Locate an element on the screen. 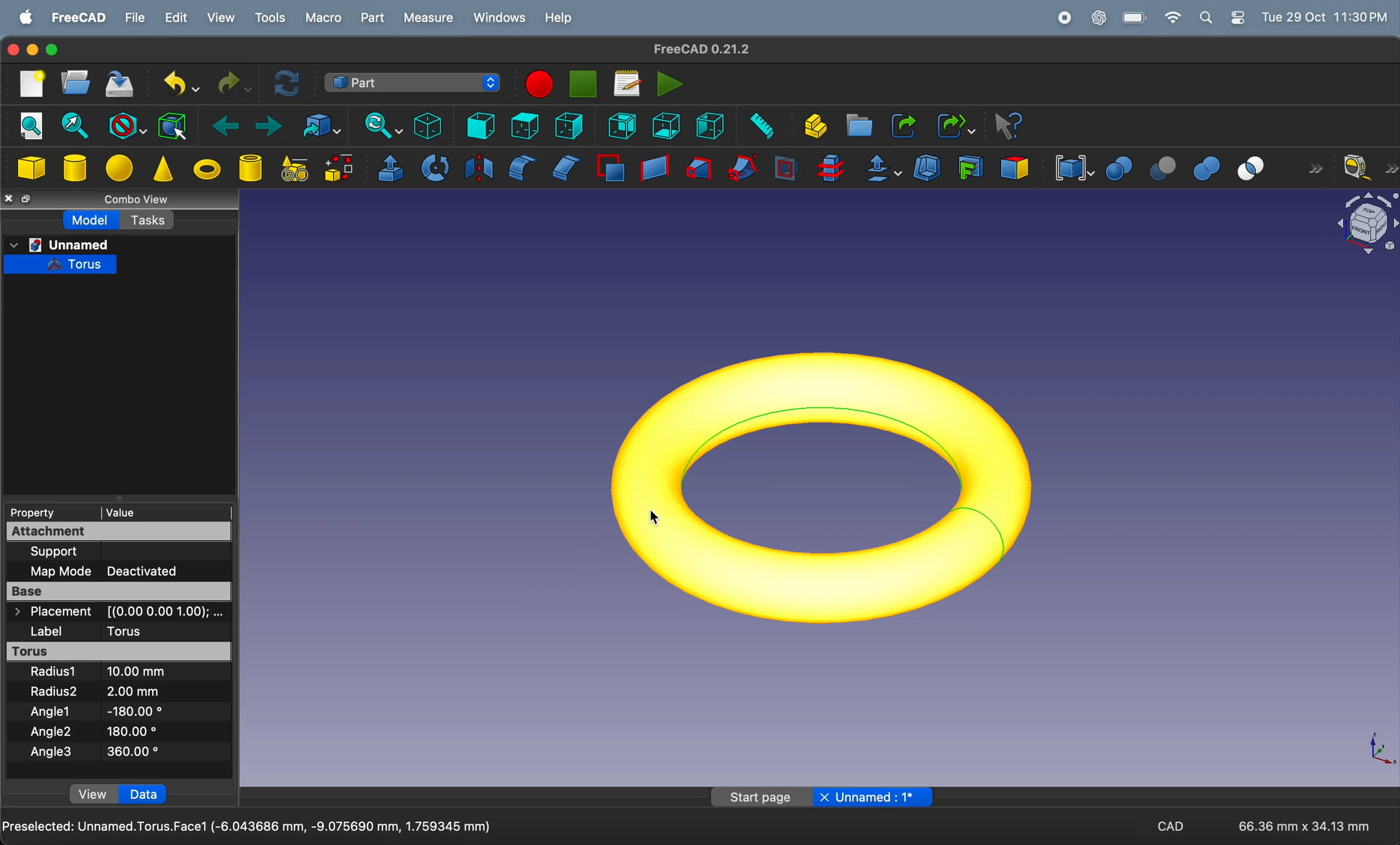  resize is located at coordinates (27, 198).